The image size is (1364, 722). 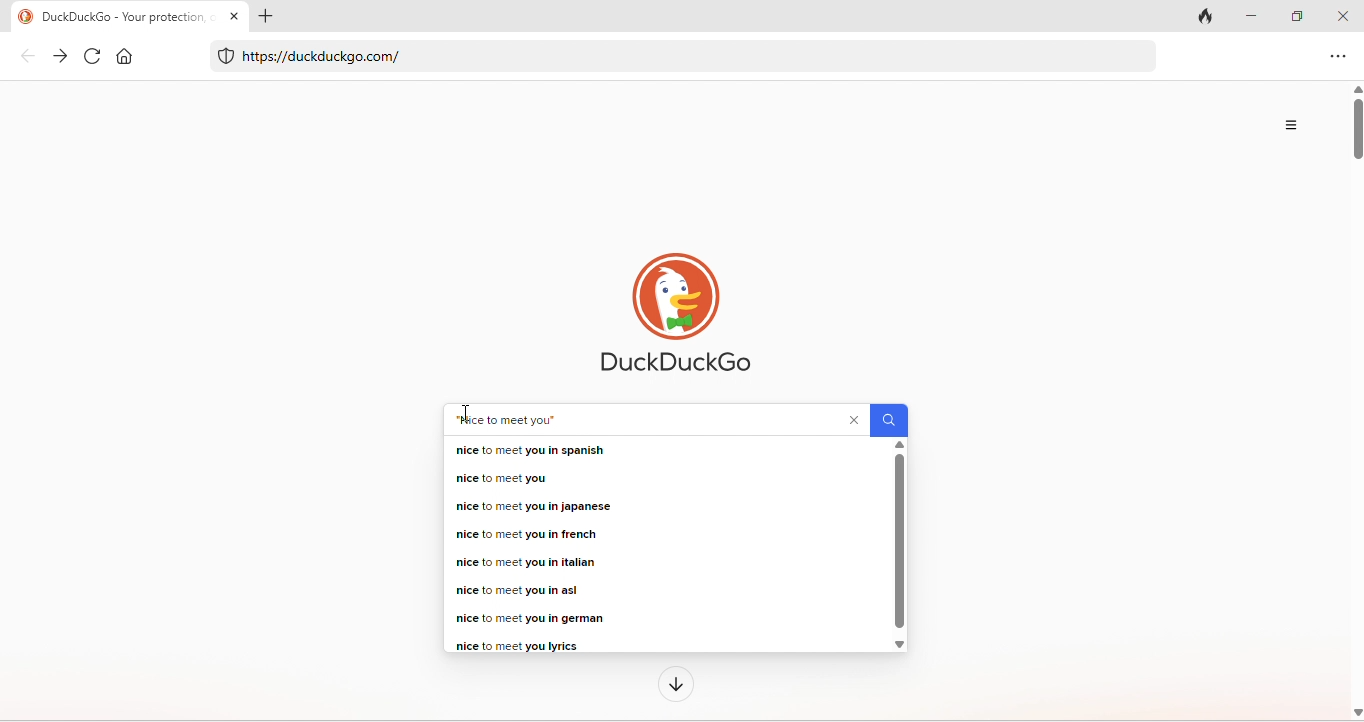 What do you see at coordinates (1290, 123) in the screenshot?
I see `option` at bounding box center [1290, 123].